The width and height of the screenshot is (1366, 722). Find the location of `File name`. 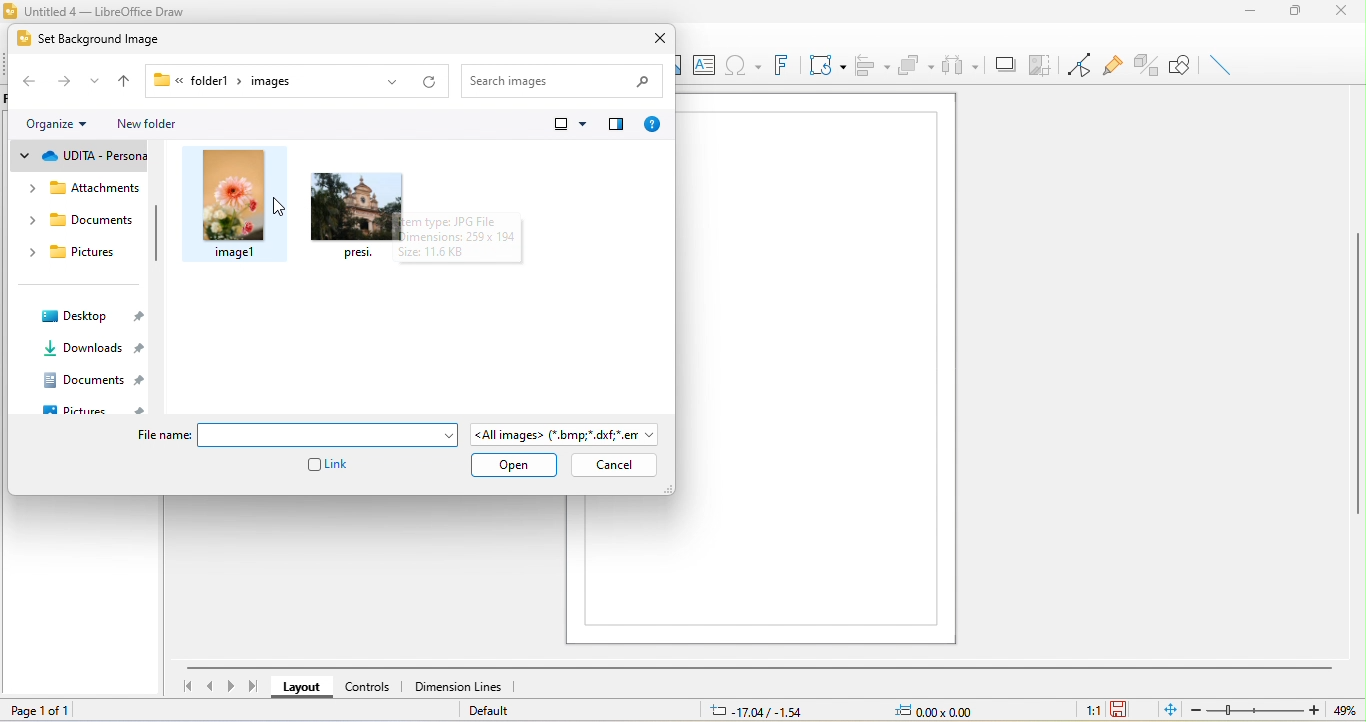

File name is located at coordinates (167, 438).